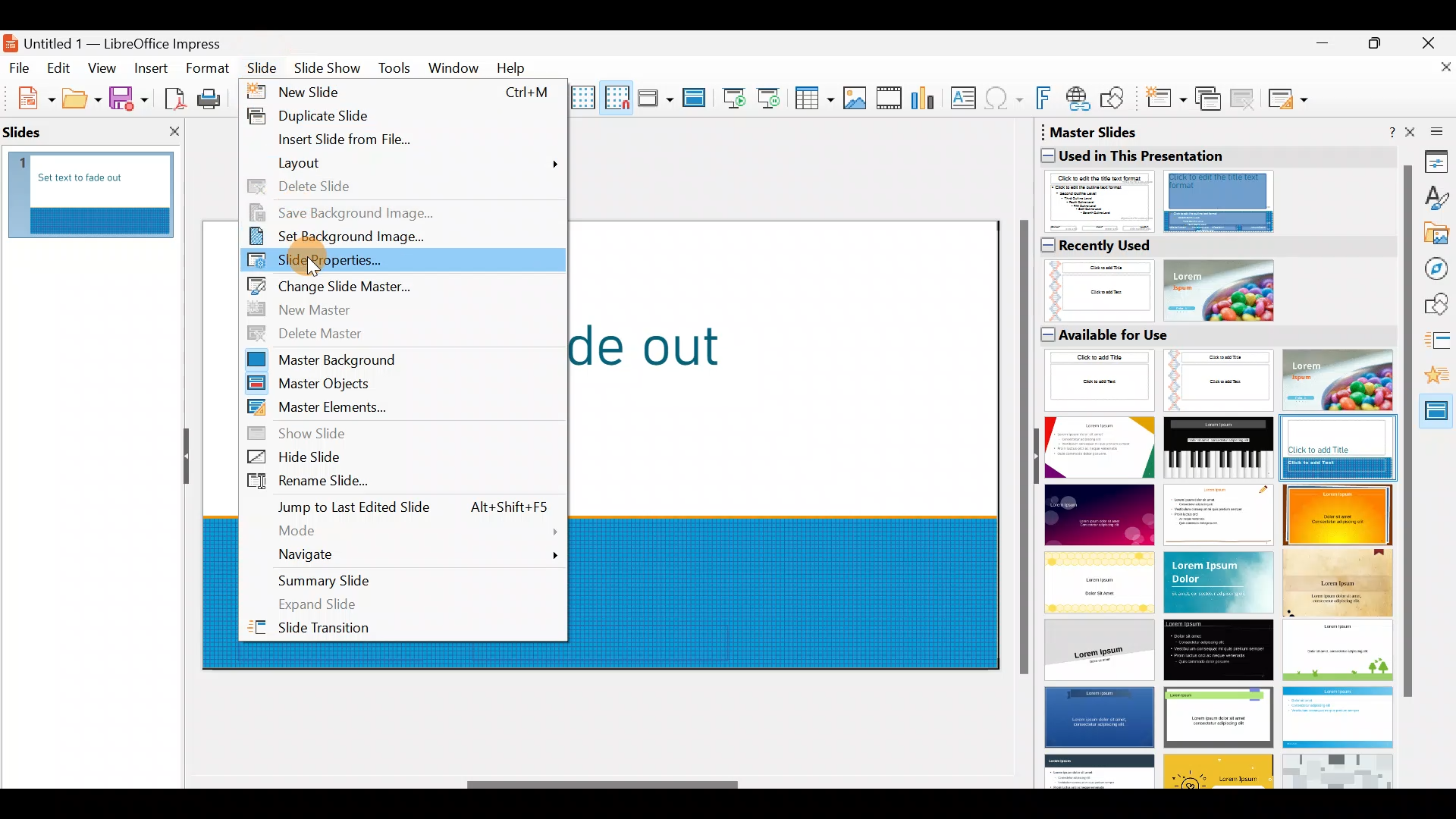 The image size is (1456, 819). What do you see at coordinates (128, 97) in the screenshot?
I see `Save` at bounding box center [128, 97].